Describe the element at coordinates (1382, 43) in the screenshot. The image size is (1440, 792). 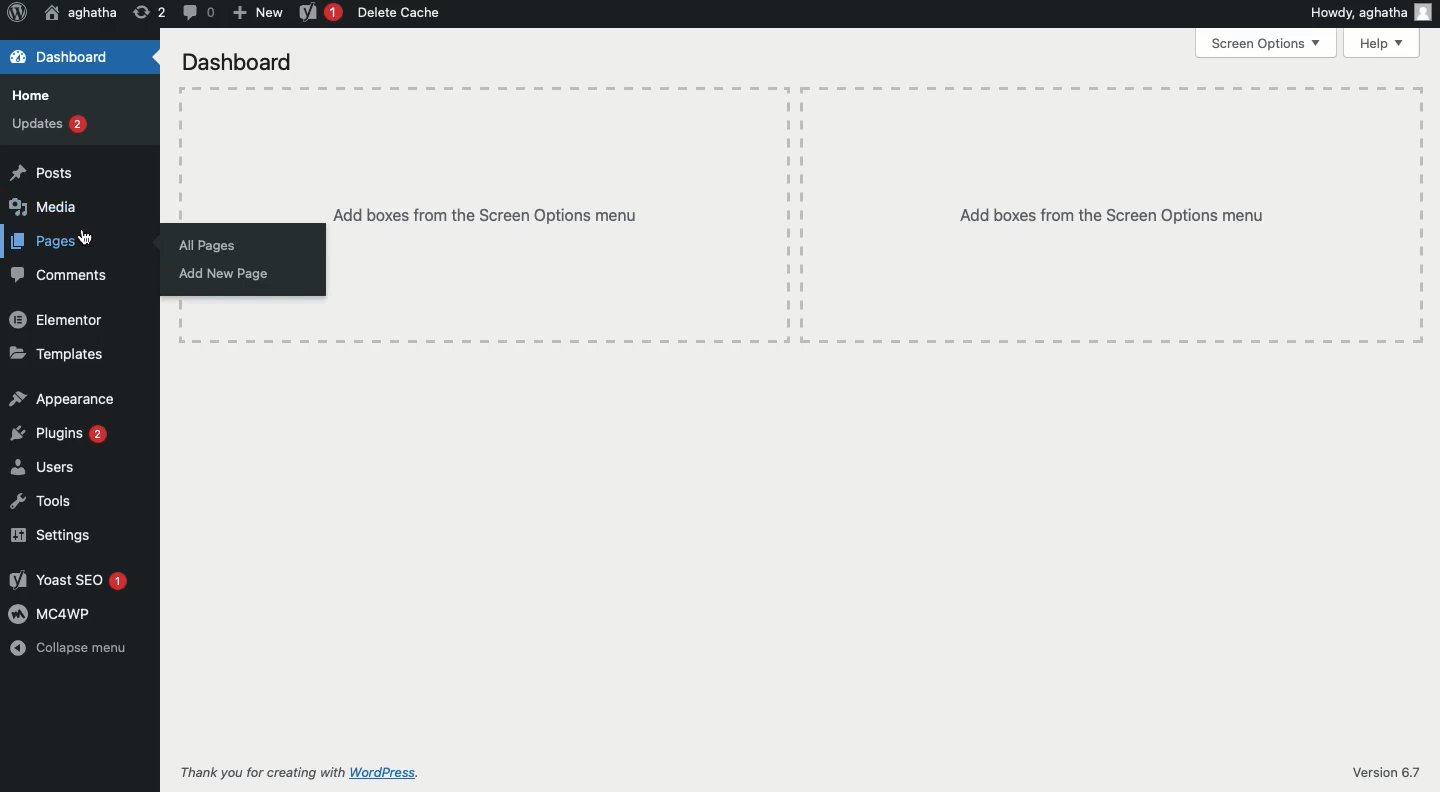
I see `Help` at that location.